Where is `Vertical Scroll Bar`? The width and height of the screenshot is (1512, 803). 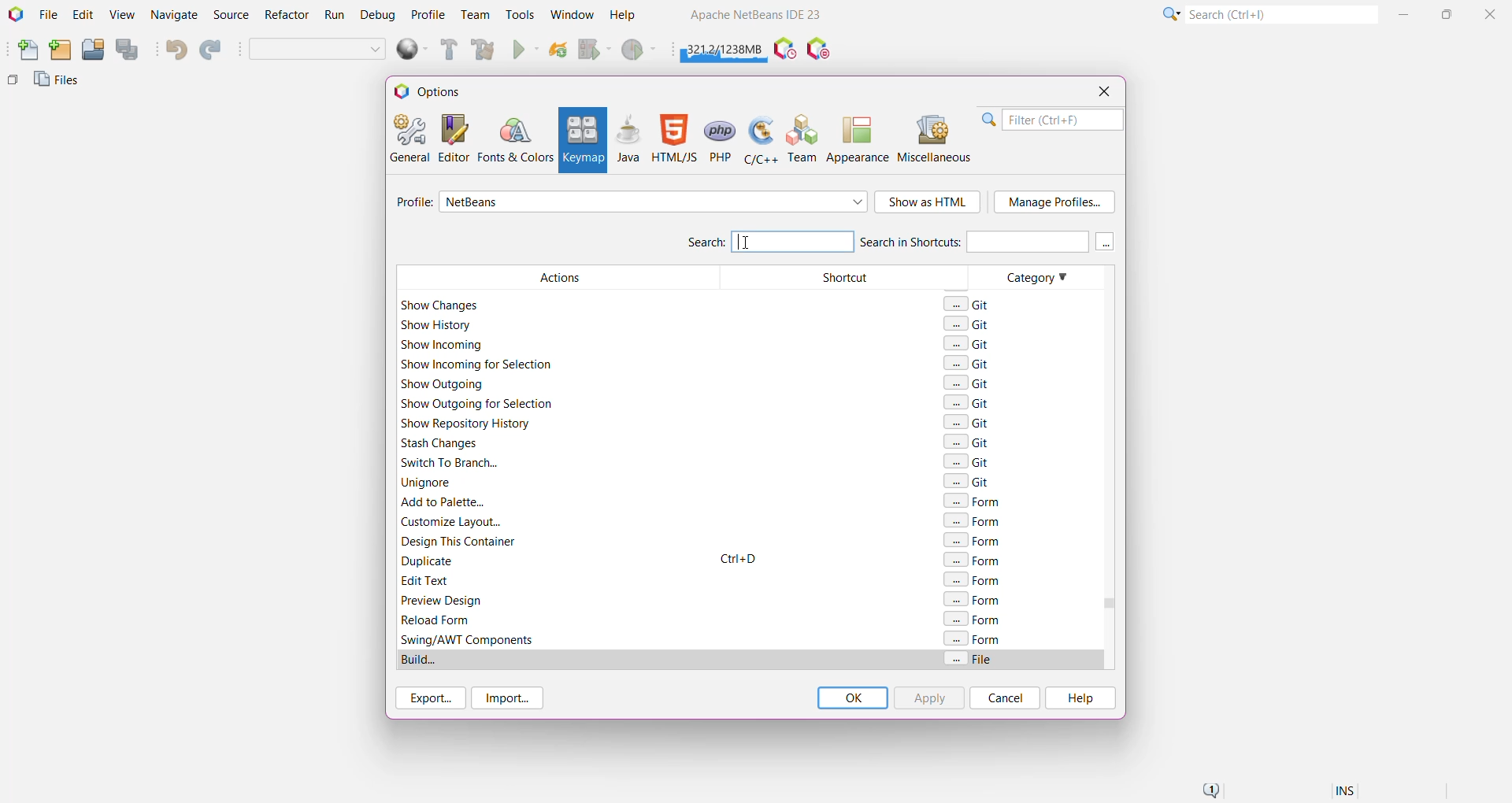 Vertical Scroll Bar is located at coordinates (1106, 468).